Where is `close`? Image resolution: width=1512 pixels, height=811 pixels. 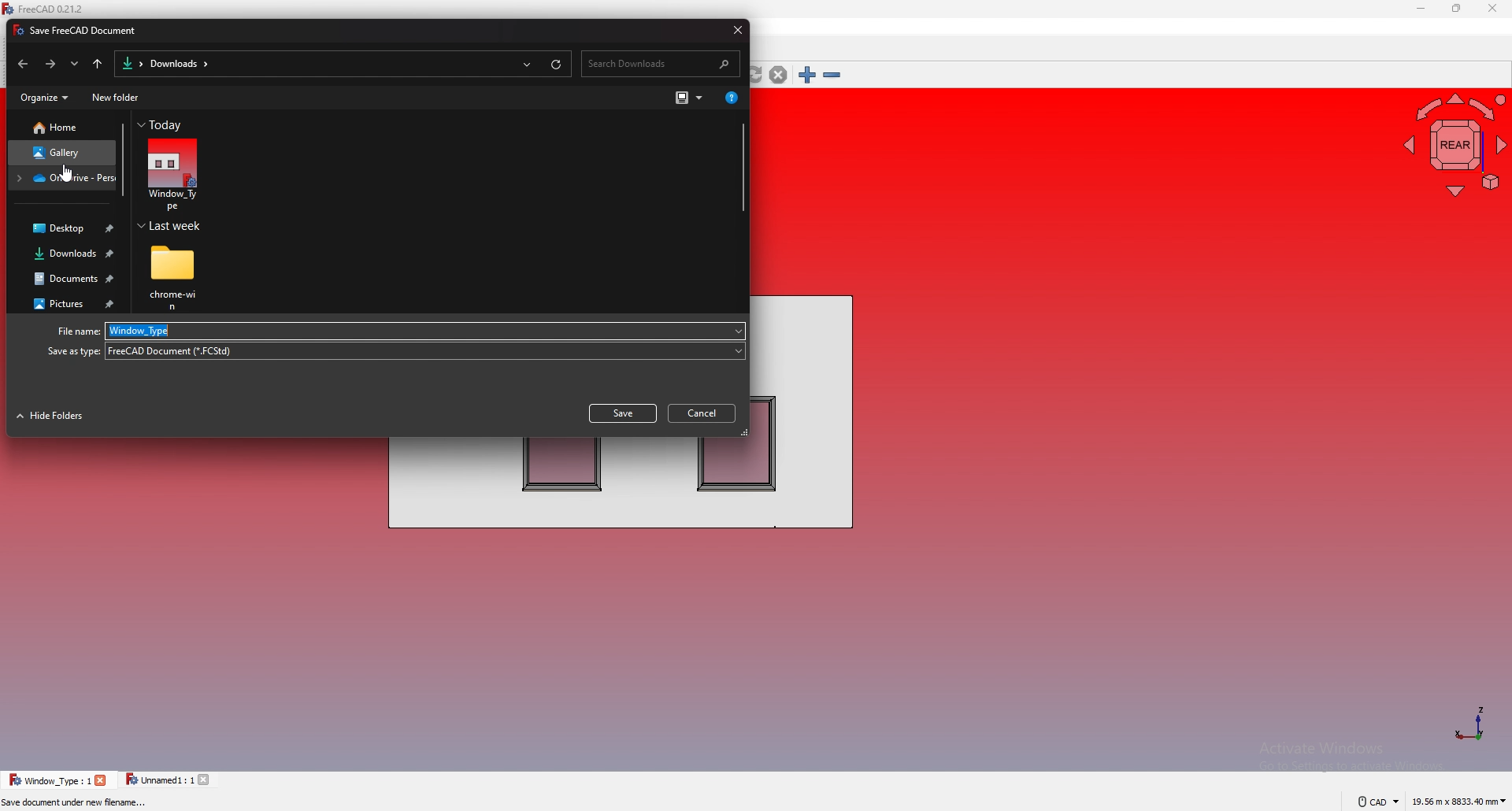
close is located at coordinates (733, 29).